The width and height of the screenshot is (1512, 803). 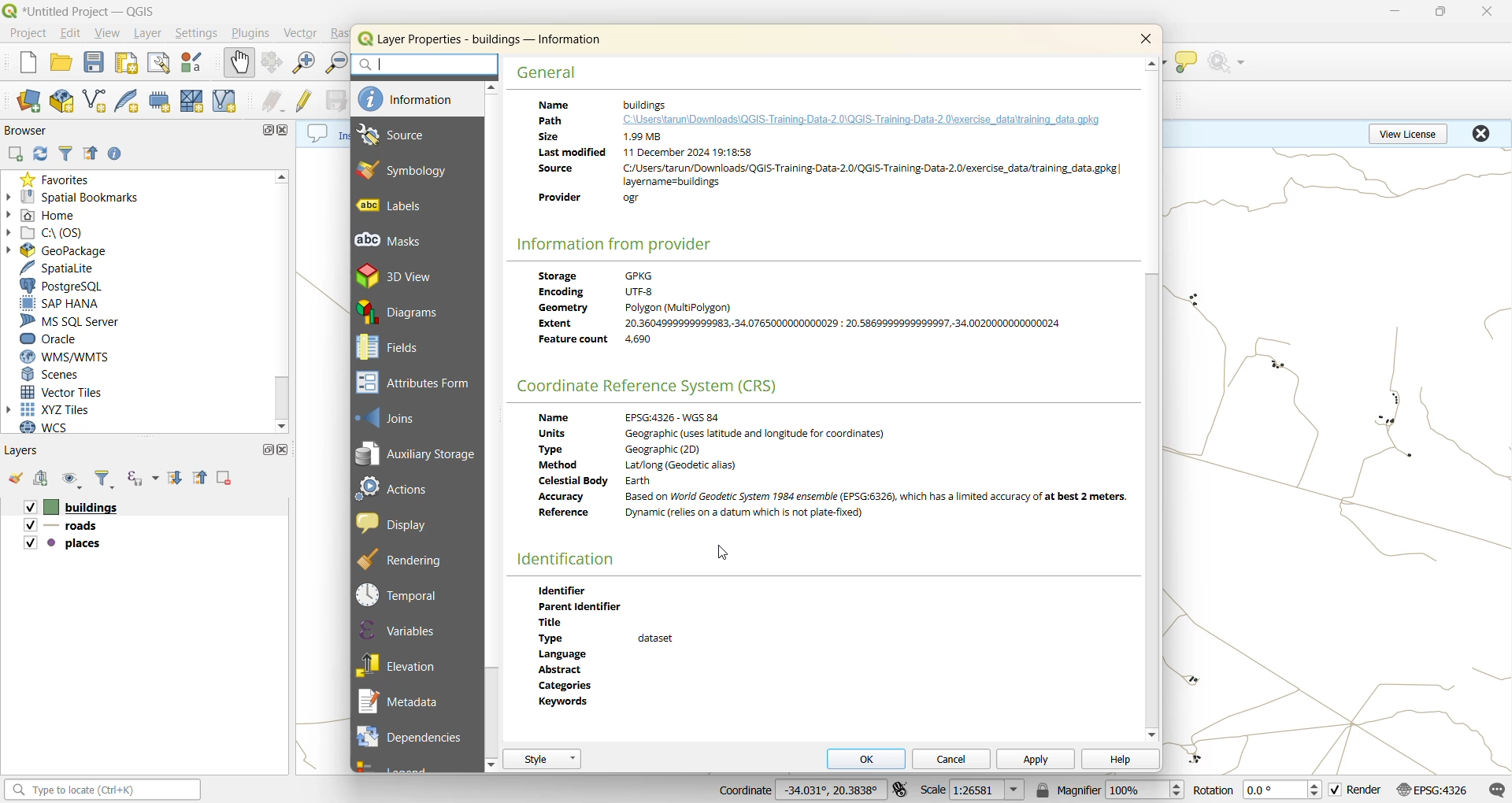 I want to click on close, so click(x=1149, y=40).